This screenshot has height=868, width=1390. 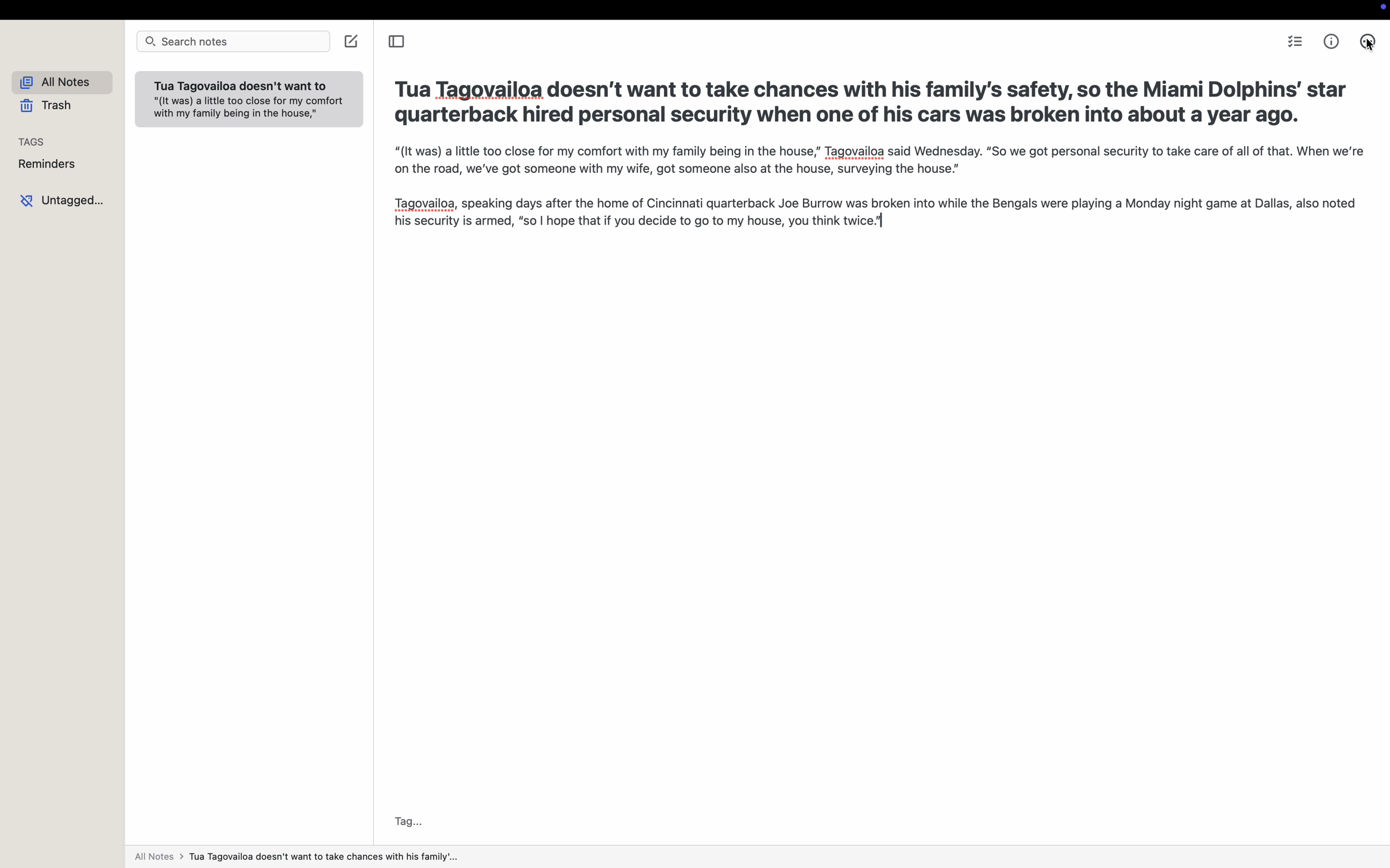 What do you see at coordinates (881, 204) in the screenshot?
I see `“(It was) a little too close for my comfort with my family being in the house,” Tagovailoa said Wednesday. “So we got personal security to take care of all of that. When we're
on the road, we've got someone with my wife, got someone also at the house, surveying the house.”

Tagovailoa, speaking days after the home of Cincinnati quarterback Joe Burrow was broken into while the Bengals were playing a Monday night game at Dallas, also noted
his security is armed, “so | hope that if you decide to go to my house, you think twice]` at bounding box center [881, 204].